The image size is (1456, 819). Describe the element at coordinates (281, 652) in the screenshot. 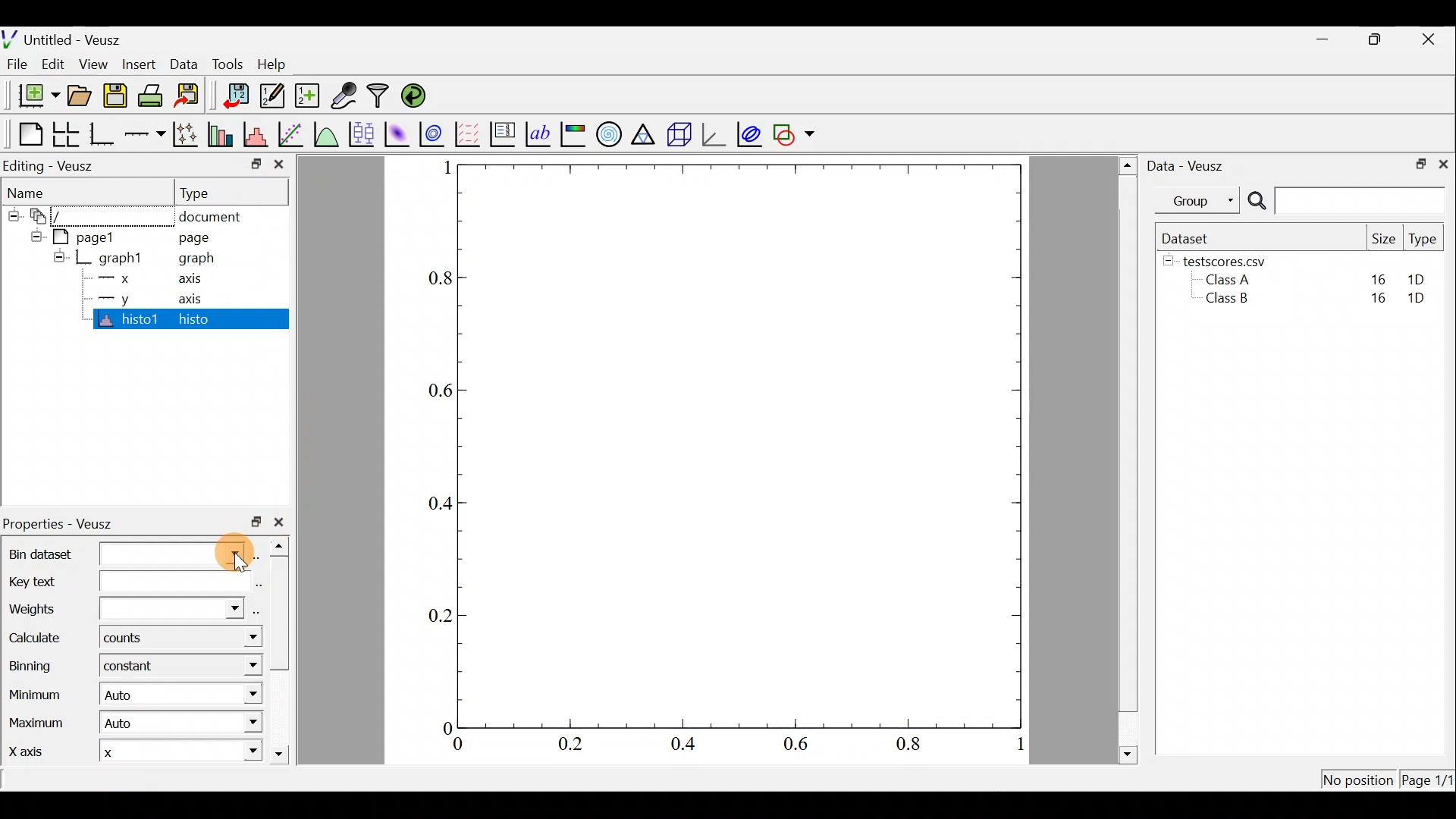

I see `scroll bar` at that location.